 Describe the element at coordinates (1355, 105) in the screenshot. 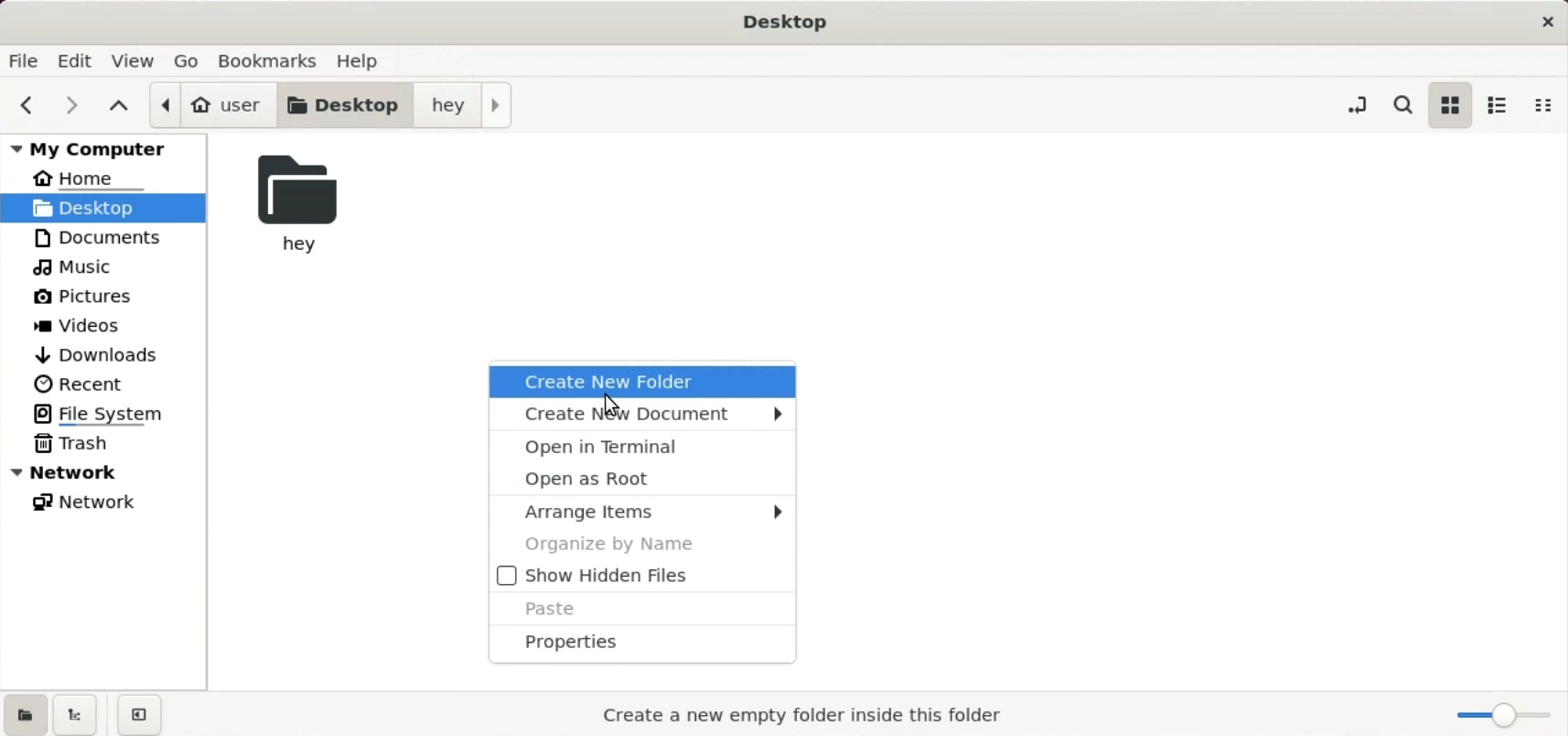

I see `toggle loaction entry` at that location.